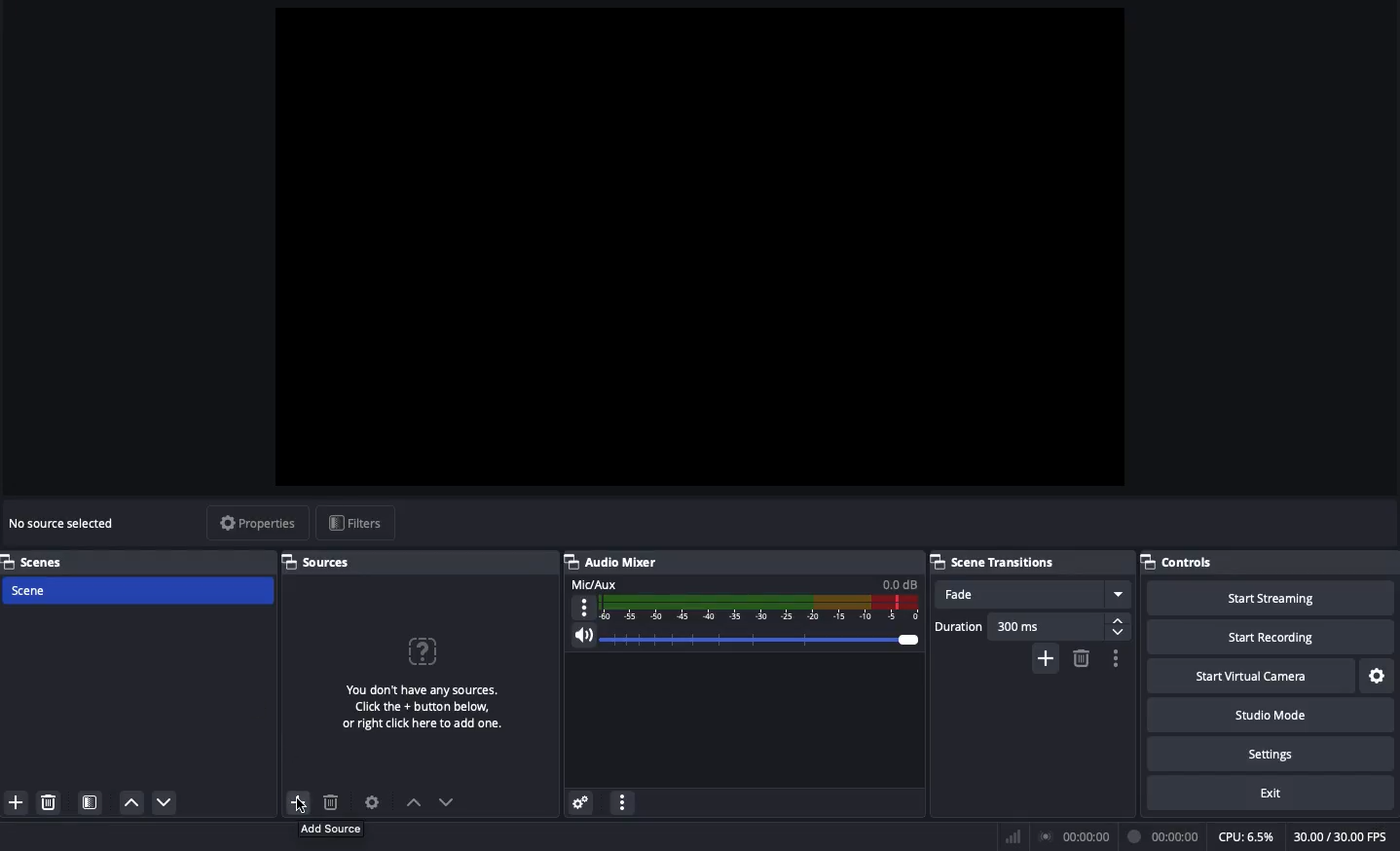 Image resolution: width=1400 pixels, height=851 pixels. I want to click on Recording, so click(1161, 836).